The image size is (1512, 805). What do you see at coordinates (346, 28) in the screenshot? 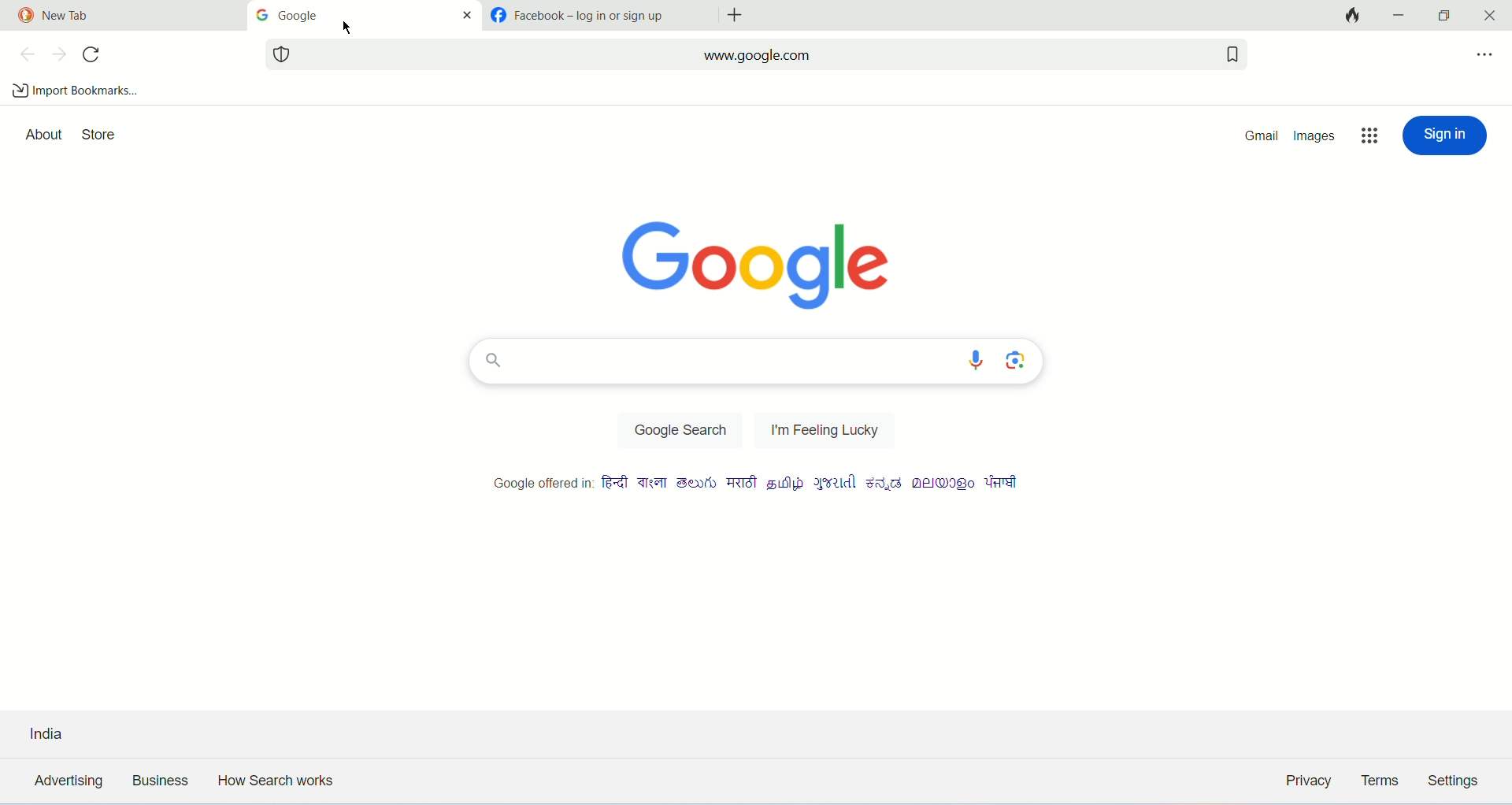
I see `cursor` at bounding box center [346, 28].